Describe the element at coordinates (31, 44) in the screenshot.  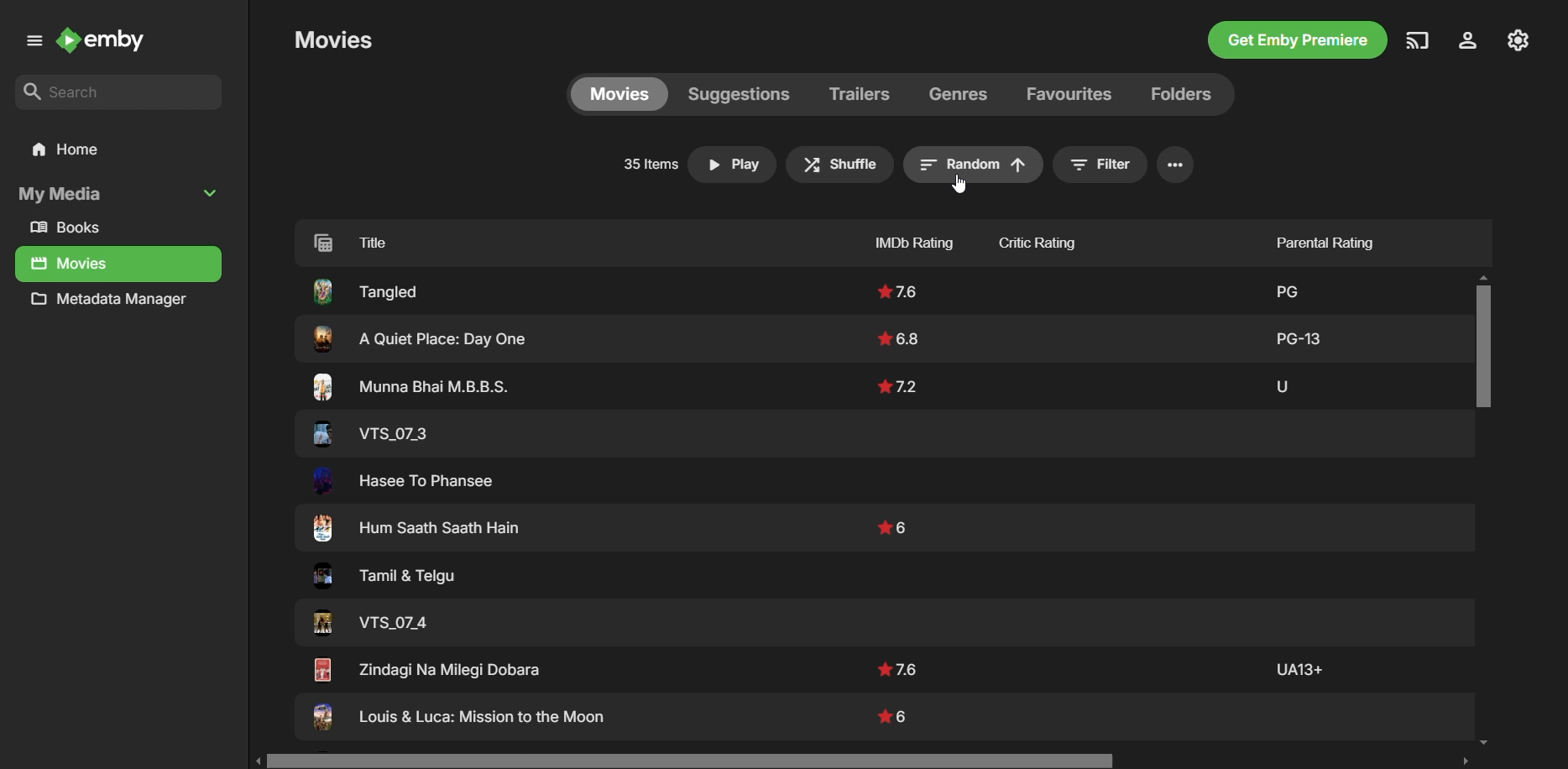
I see `Expand/Collapse` at that location.